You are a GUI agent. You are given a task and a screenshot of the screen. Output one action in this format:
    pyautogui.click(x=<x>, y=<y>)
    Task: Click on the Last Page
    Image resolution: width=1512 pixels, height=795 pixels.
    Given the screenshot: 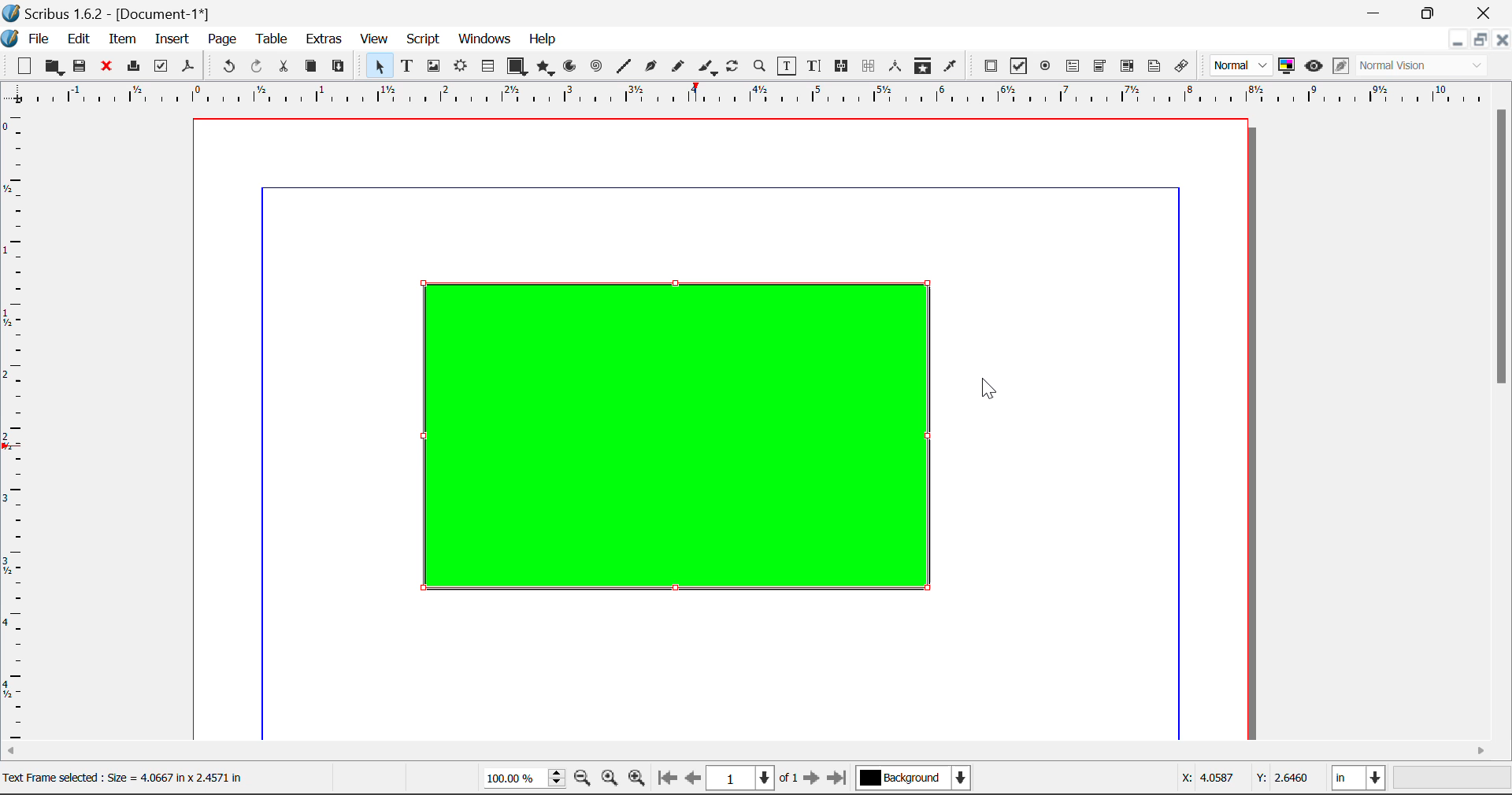 What is the action you would take?
    pyautogui.click(x=839, y=780)
    